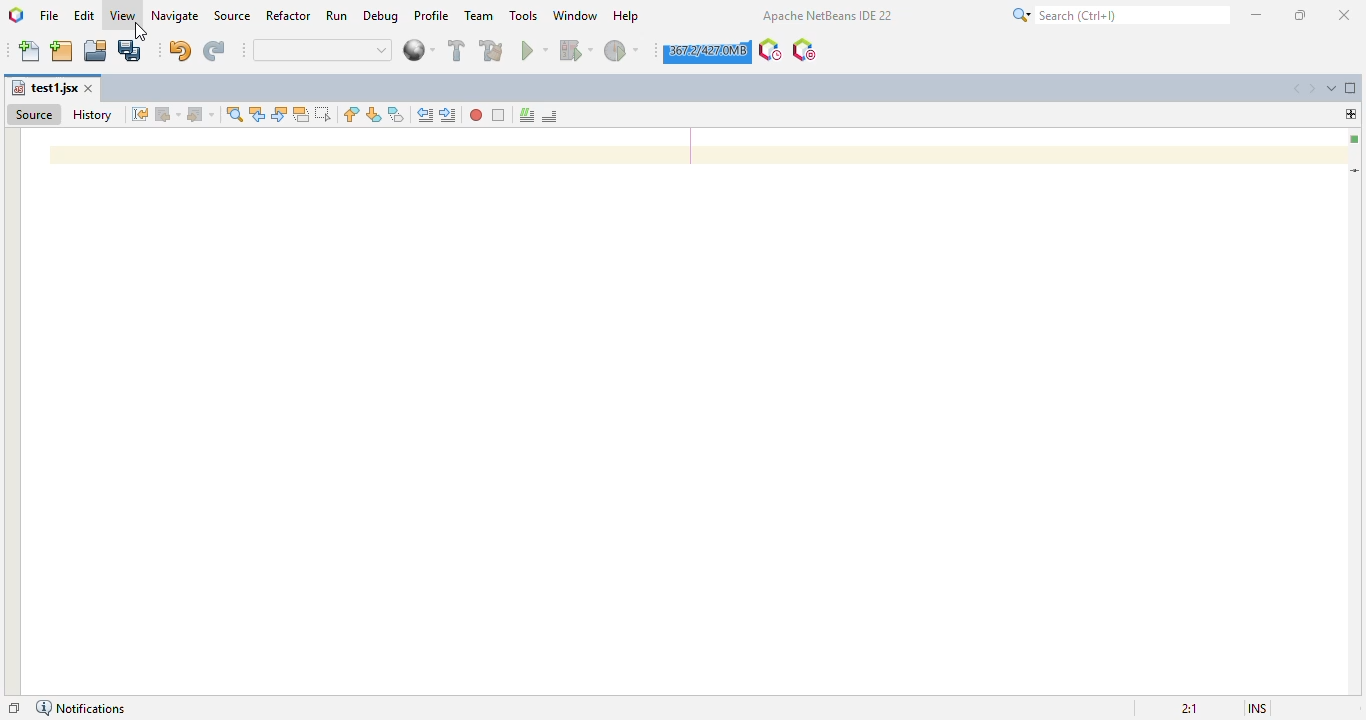  What do you see at coordinates (50, 15) in the screenshot?
I see `file` at bounding box center [50, 15].